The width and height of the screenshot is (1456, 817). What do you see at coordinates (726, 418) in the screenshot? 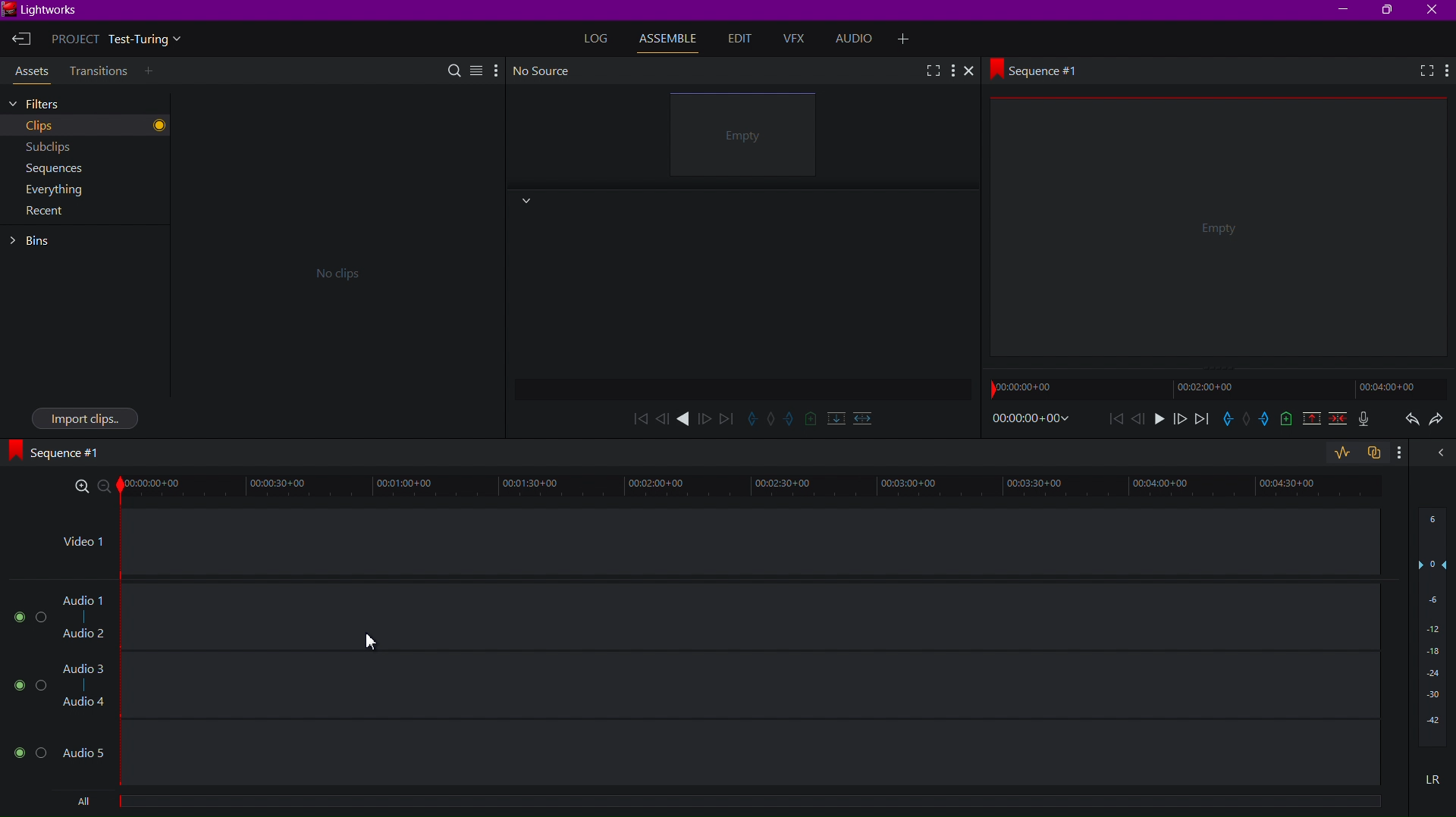
I see `play next` at bounding box center [726, 418].